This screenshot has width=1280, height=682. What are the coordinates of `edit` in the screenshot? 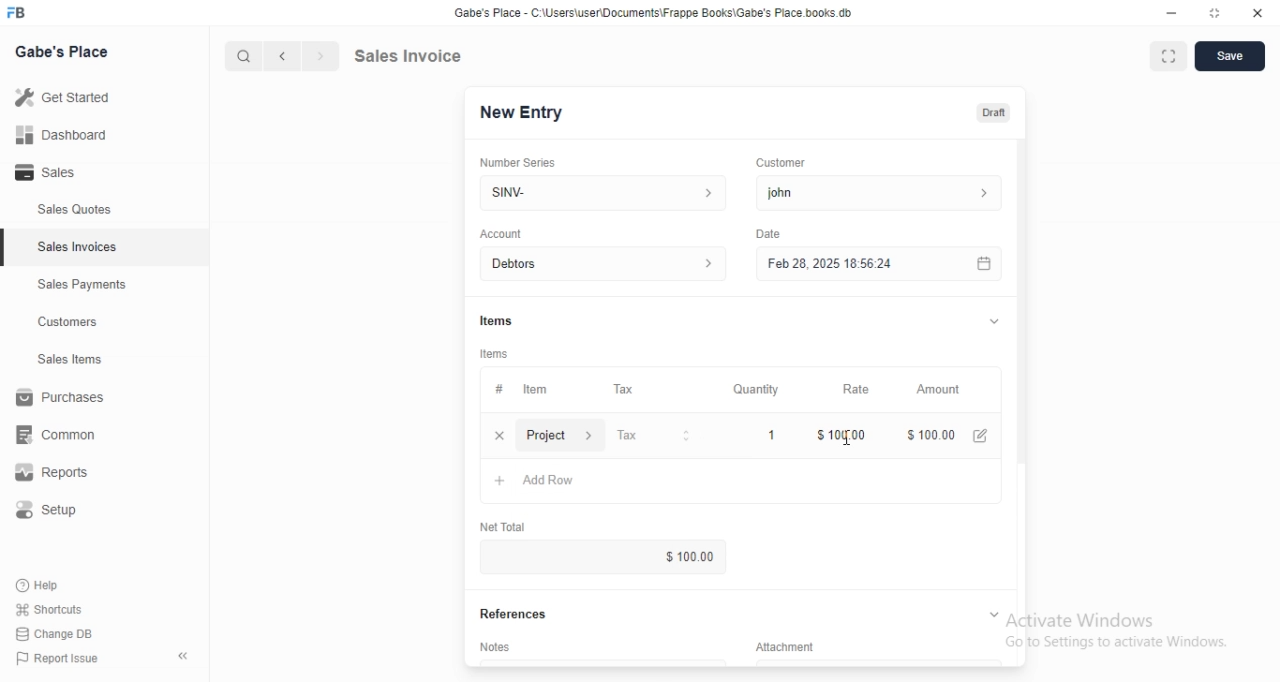 It's located at (983, 435).